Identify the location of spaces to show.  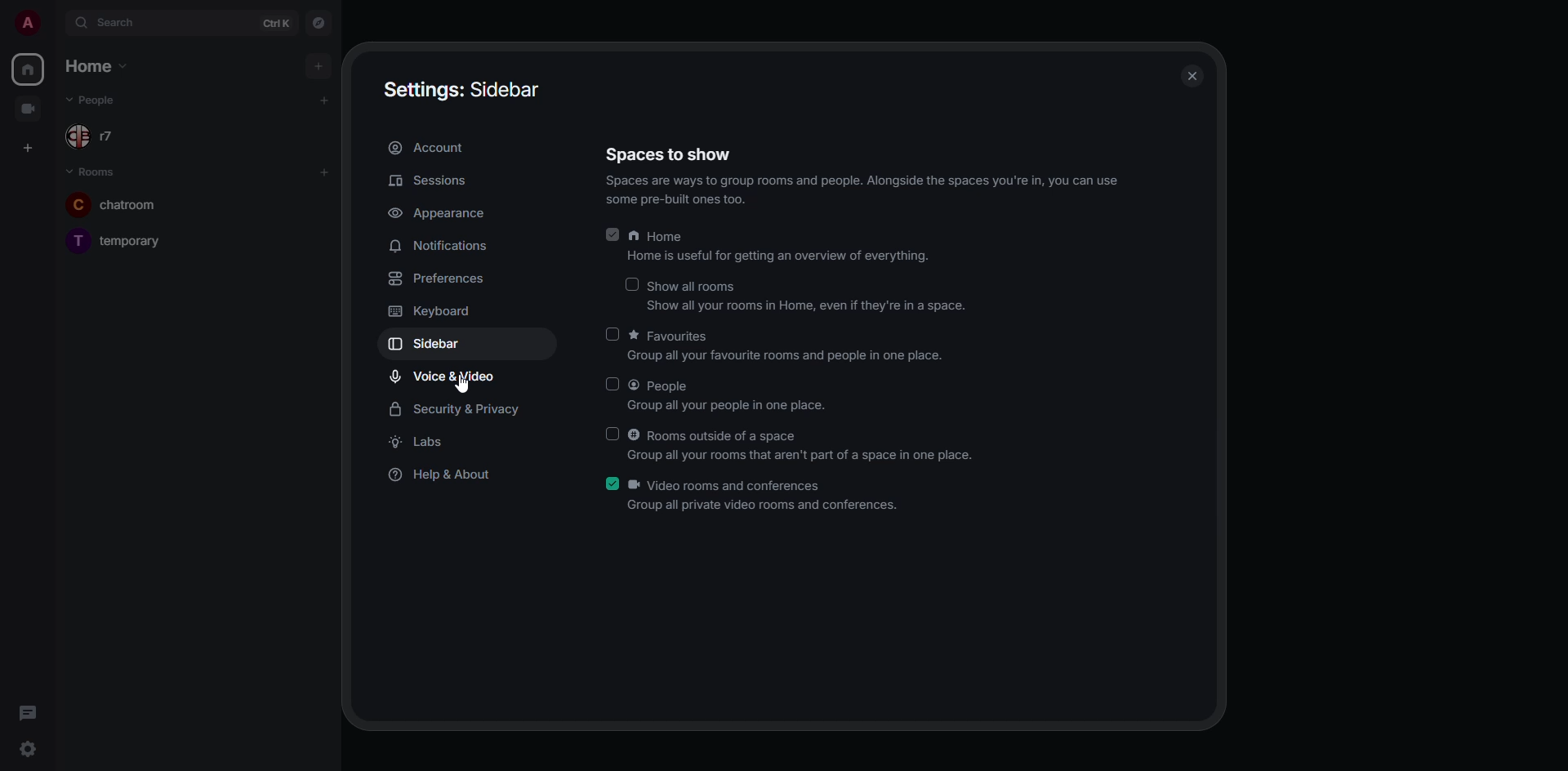
(866, 176).